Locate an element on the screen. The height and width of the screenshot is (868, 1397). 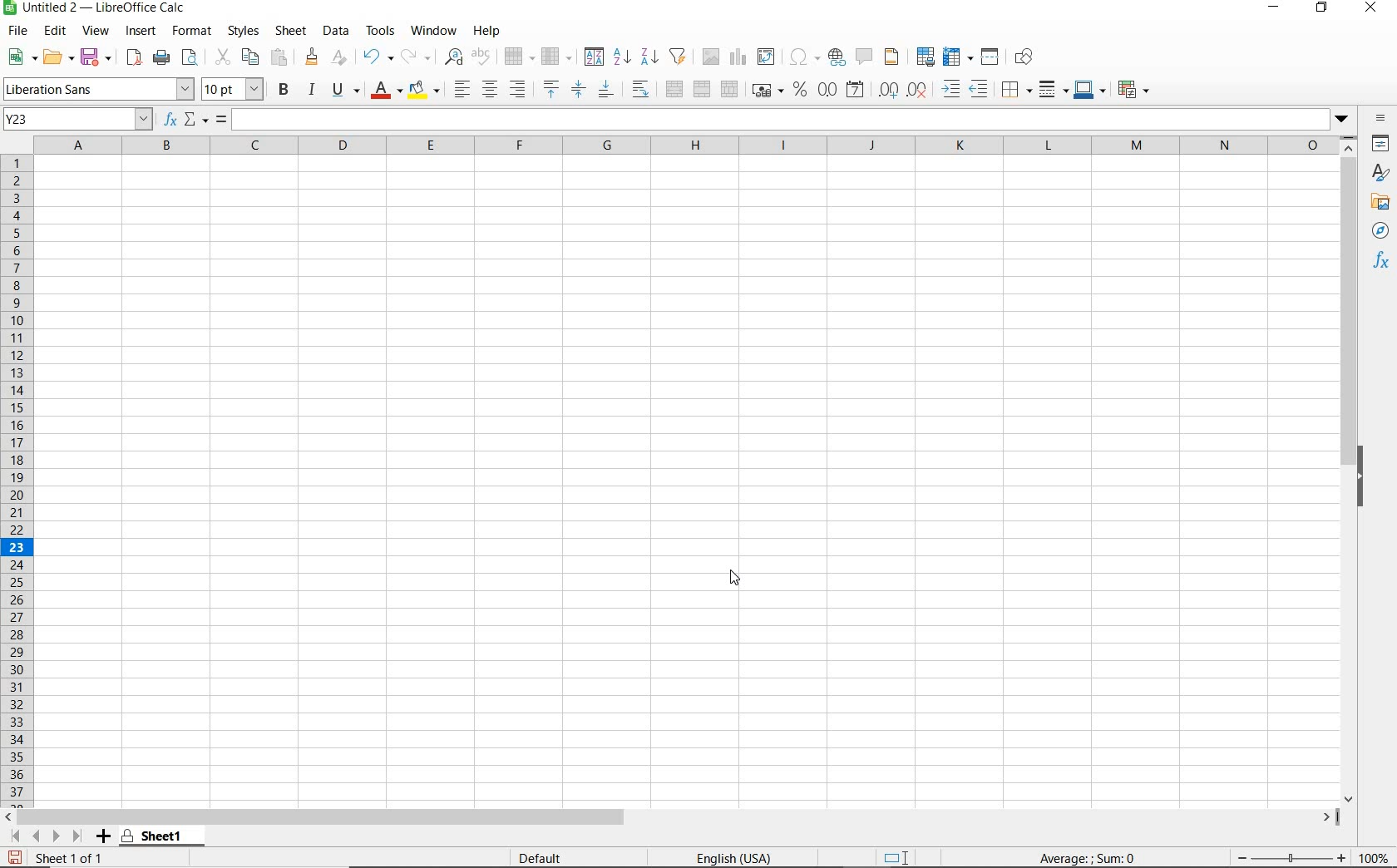
INSERT is located at coordinates (141, 32).